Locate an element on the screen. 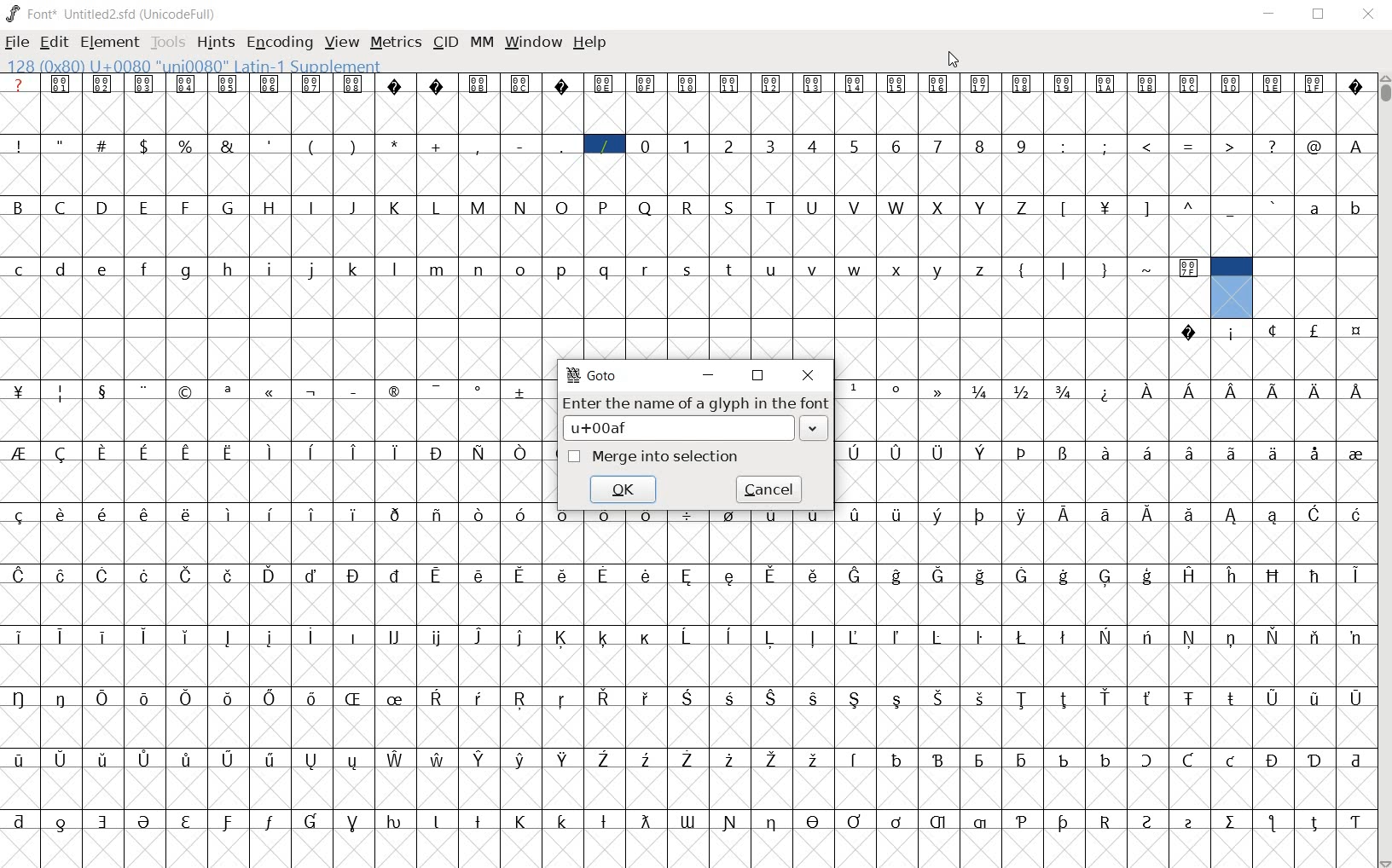 Image resolution: width=1392 pixels, height=868 pixels. Symbol is located at coordinates (314, 820).